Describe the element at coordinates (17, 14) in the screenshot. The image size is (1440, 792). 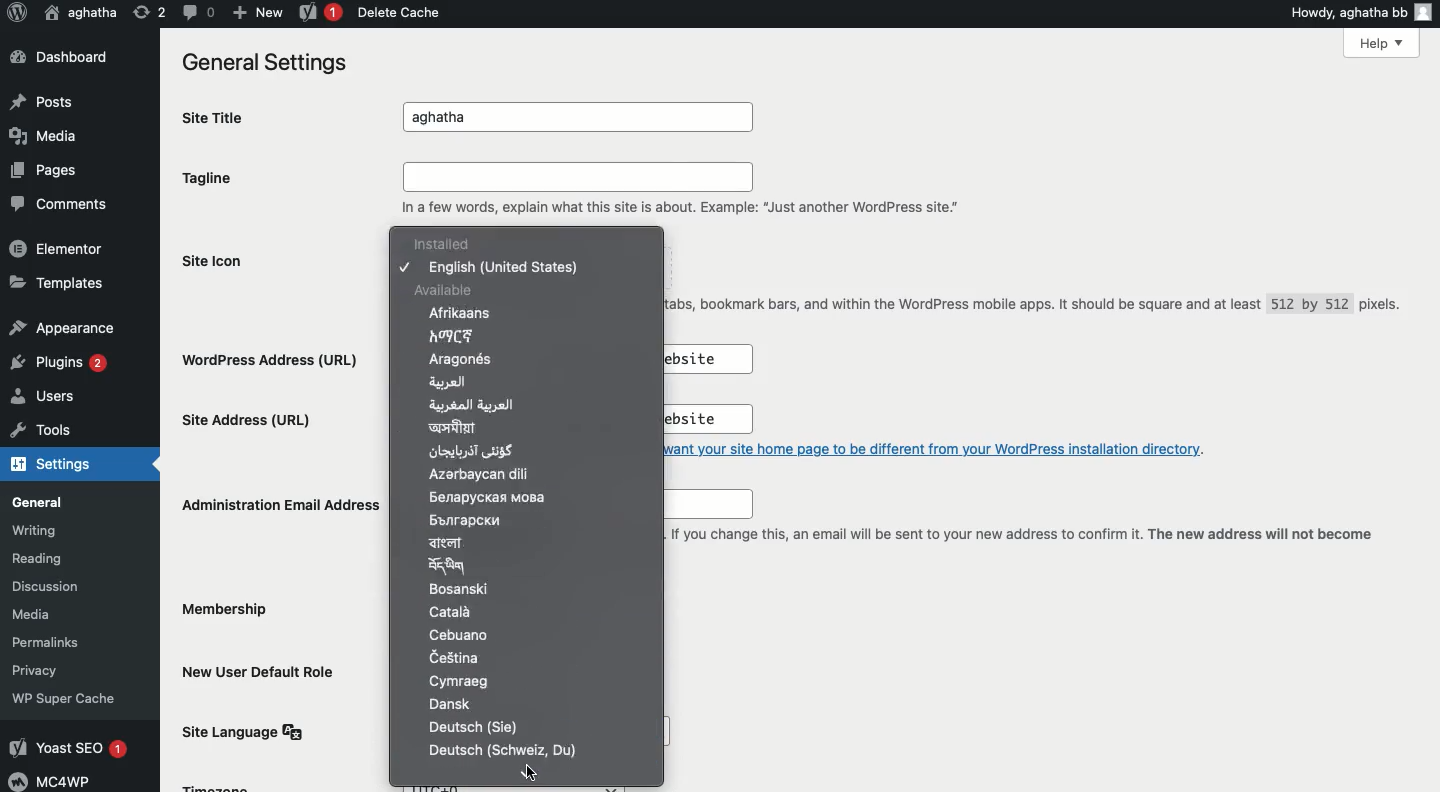
I see `Logo` at that location.